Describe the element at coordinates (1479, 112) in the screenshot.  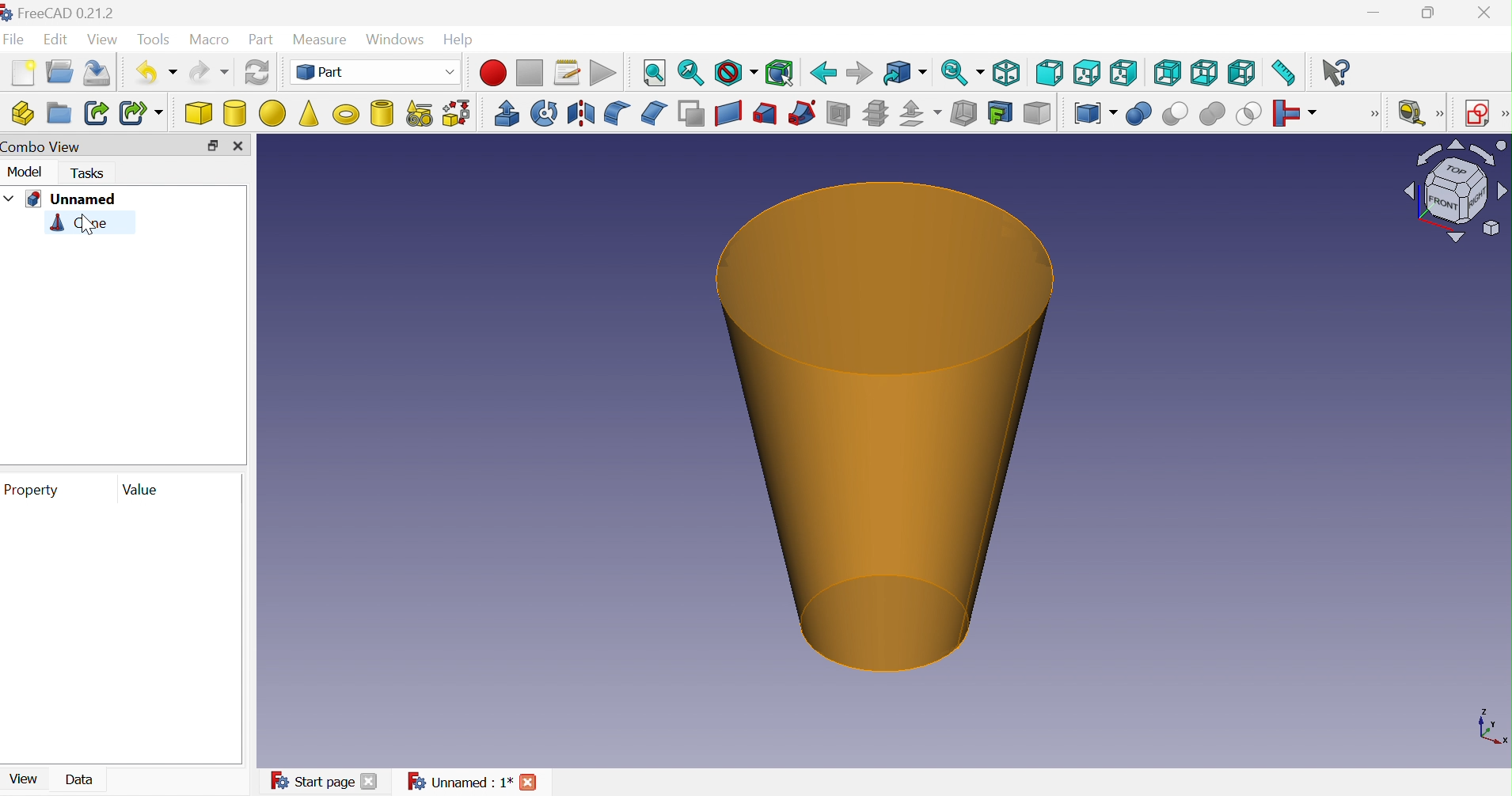
I see `Create sketch` at that location.